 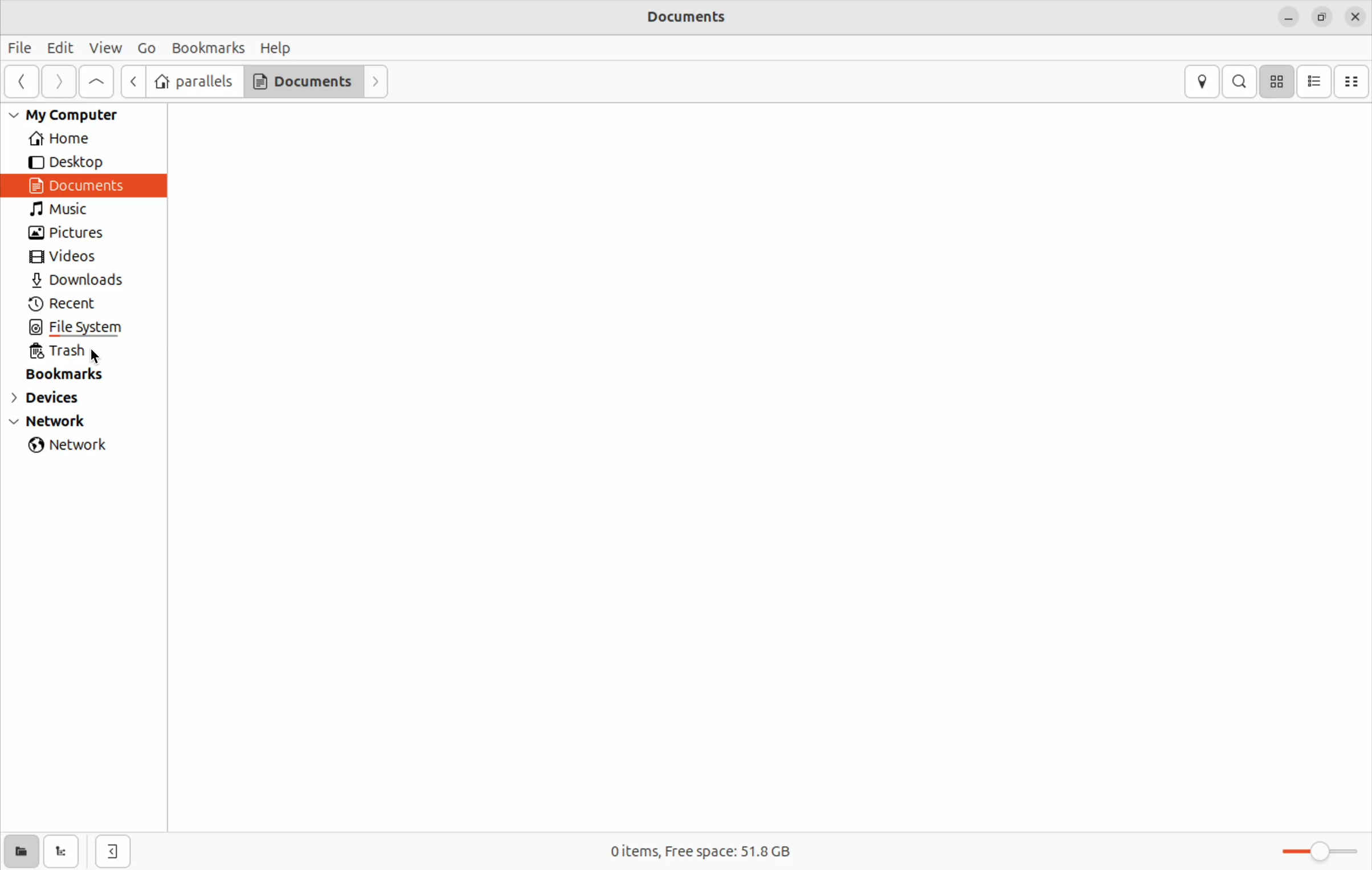 What do you see at coordinates (377, 80) in the screenshot?
I see `go next` at bounding box center [377, 80].